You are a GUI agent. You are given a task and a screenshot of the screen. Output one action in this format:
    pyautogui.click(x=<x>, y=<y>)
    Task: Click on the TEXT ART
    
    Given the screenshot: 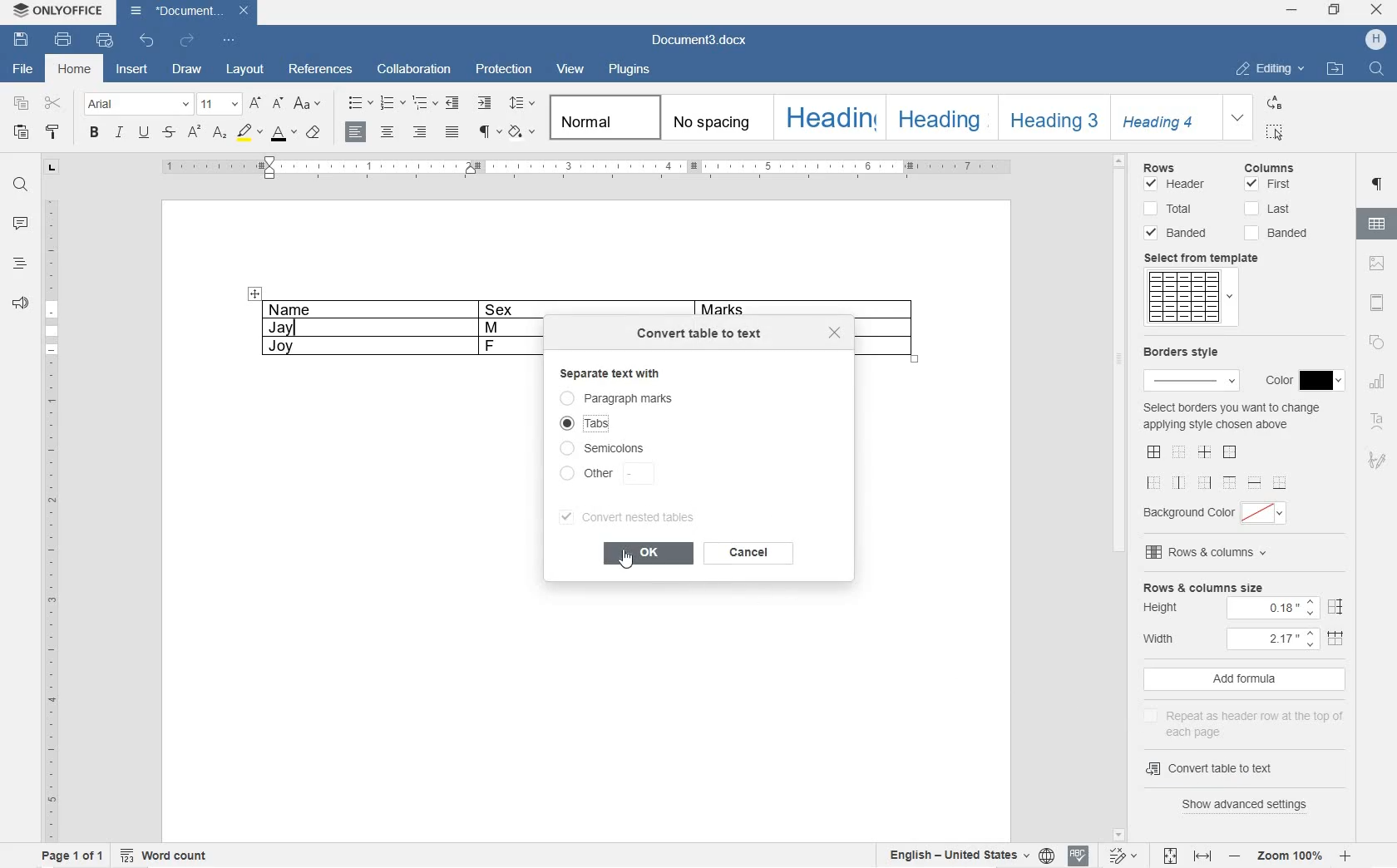 What is the action you would take?
    pyautogui.click(x=1378, y=418)
    